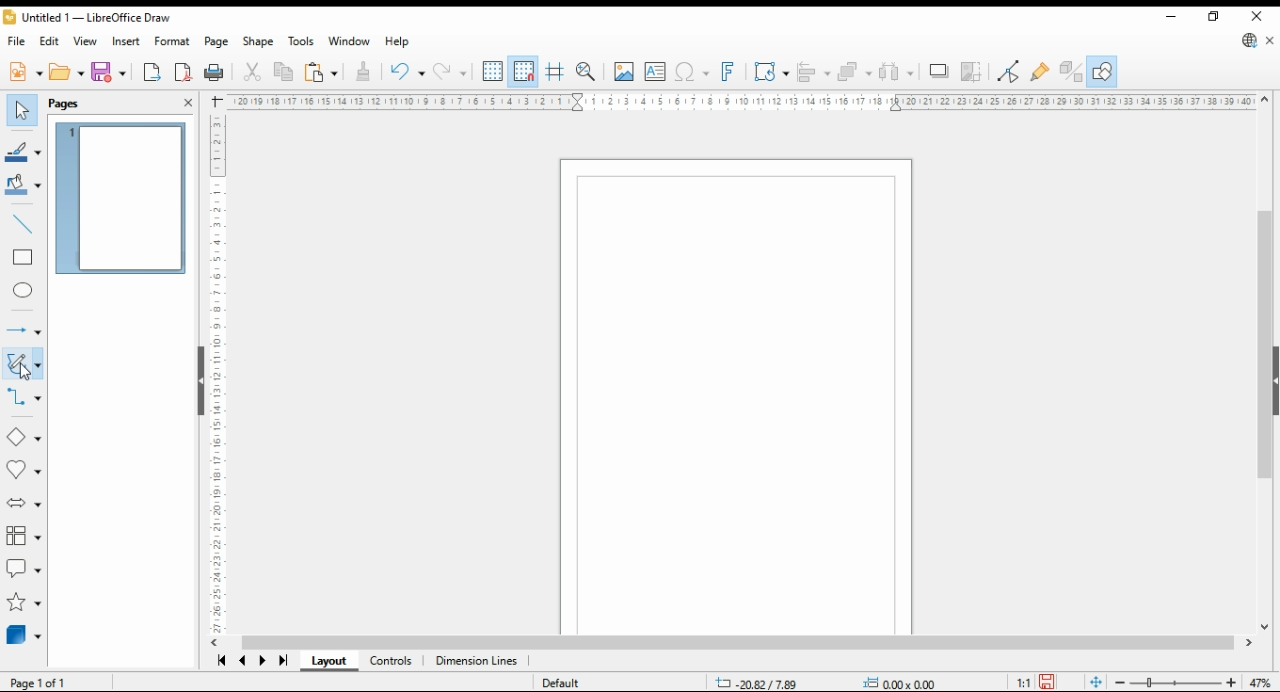  I want to click on scroll bar, so click(741, 643).